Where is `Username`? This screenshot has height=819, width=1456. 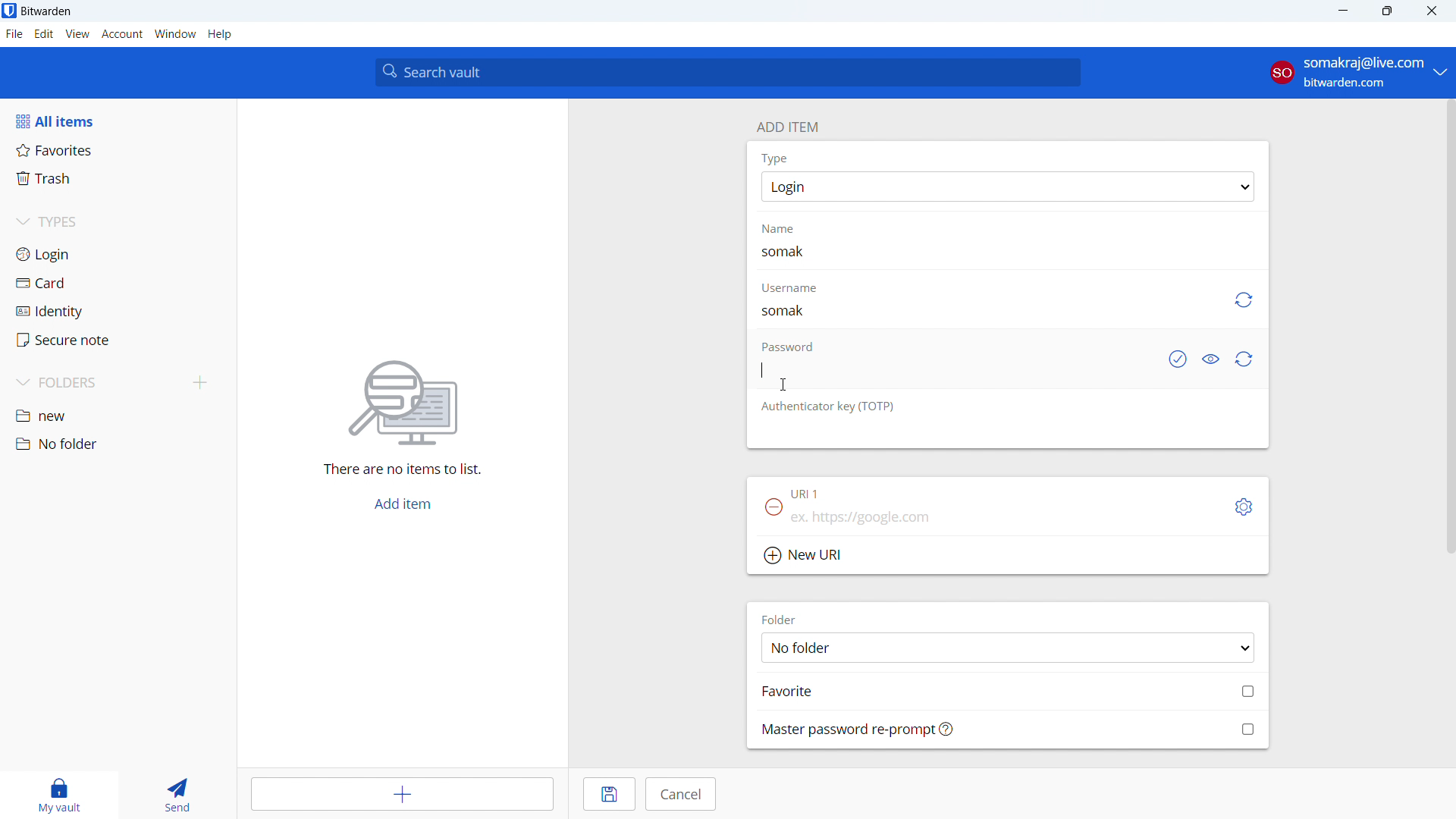 Username is located at coordinates (789, 288).